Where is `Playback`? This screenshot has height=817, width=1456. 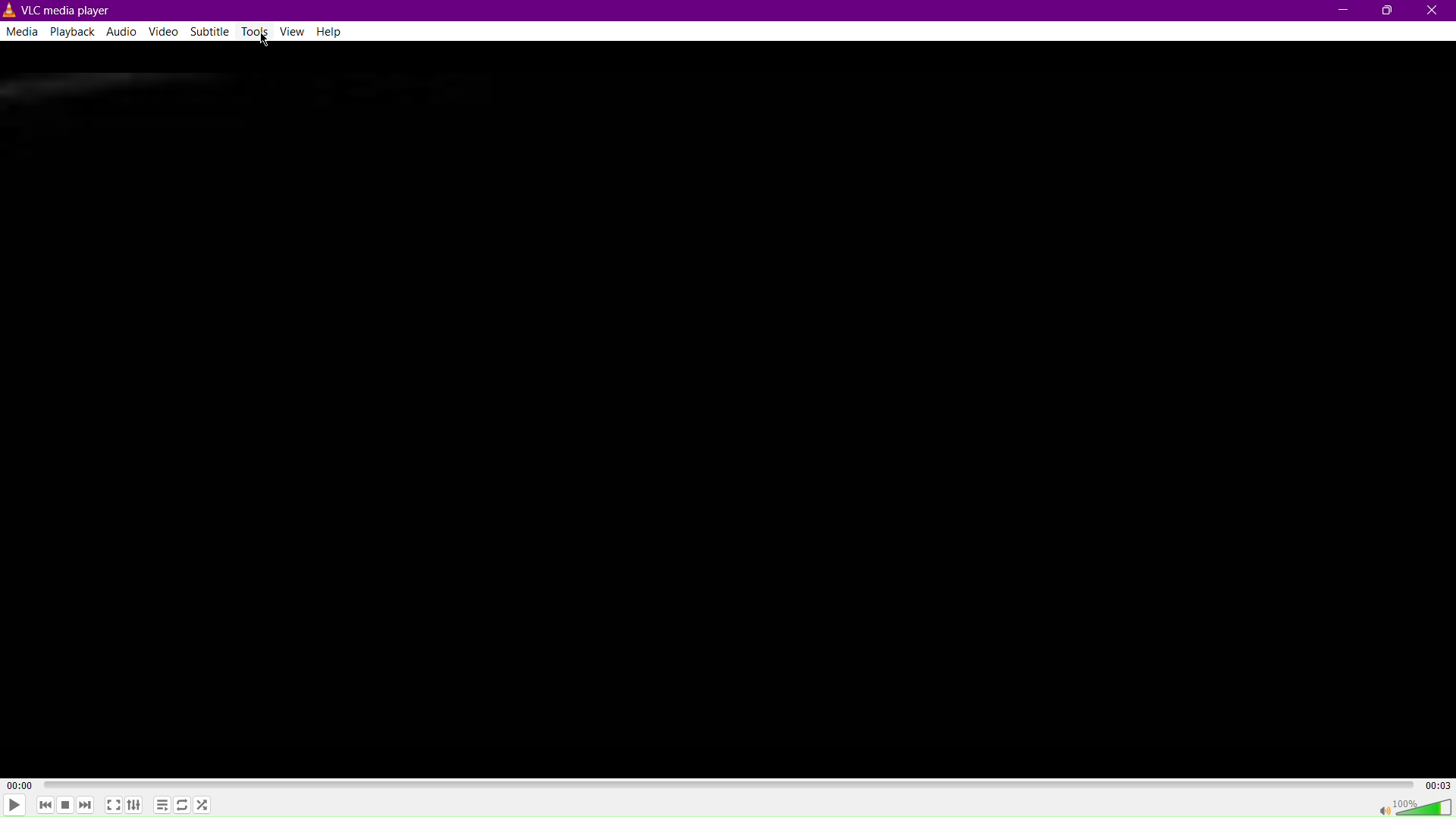
Playback is located at coordinates (76, 33).